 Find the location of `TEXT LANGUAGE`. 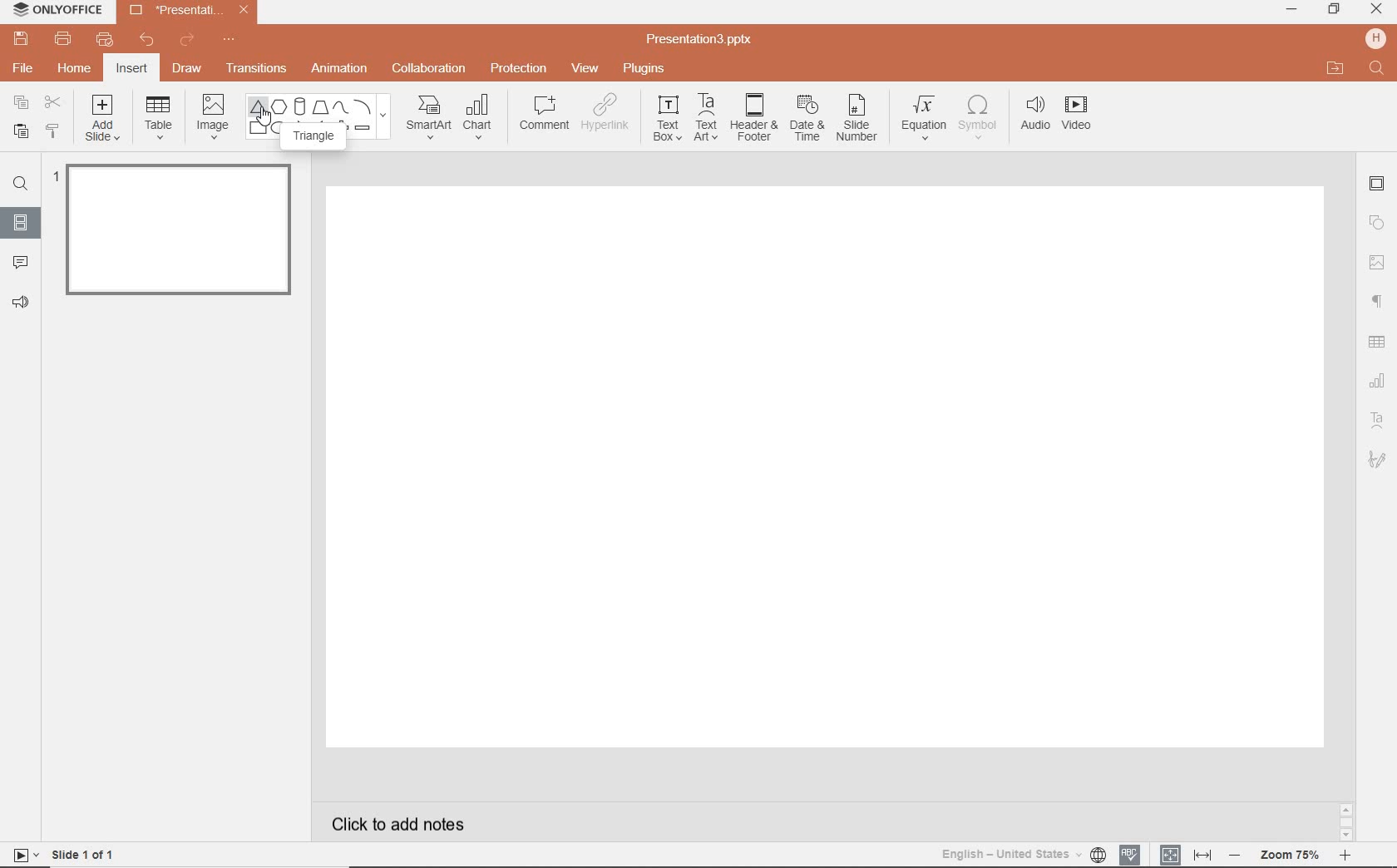

TEXT LANGUAGE is located at coordinates (1024, 854).